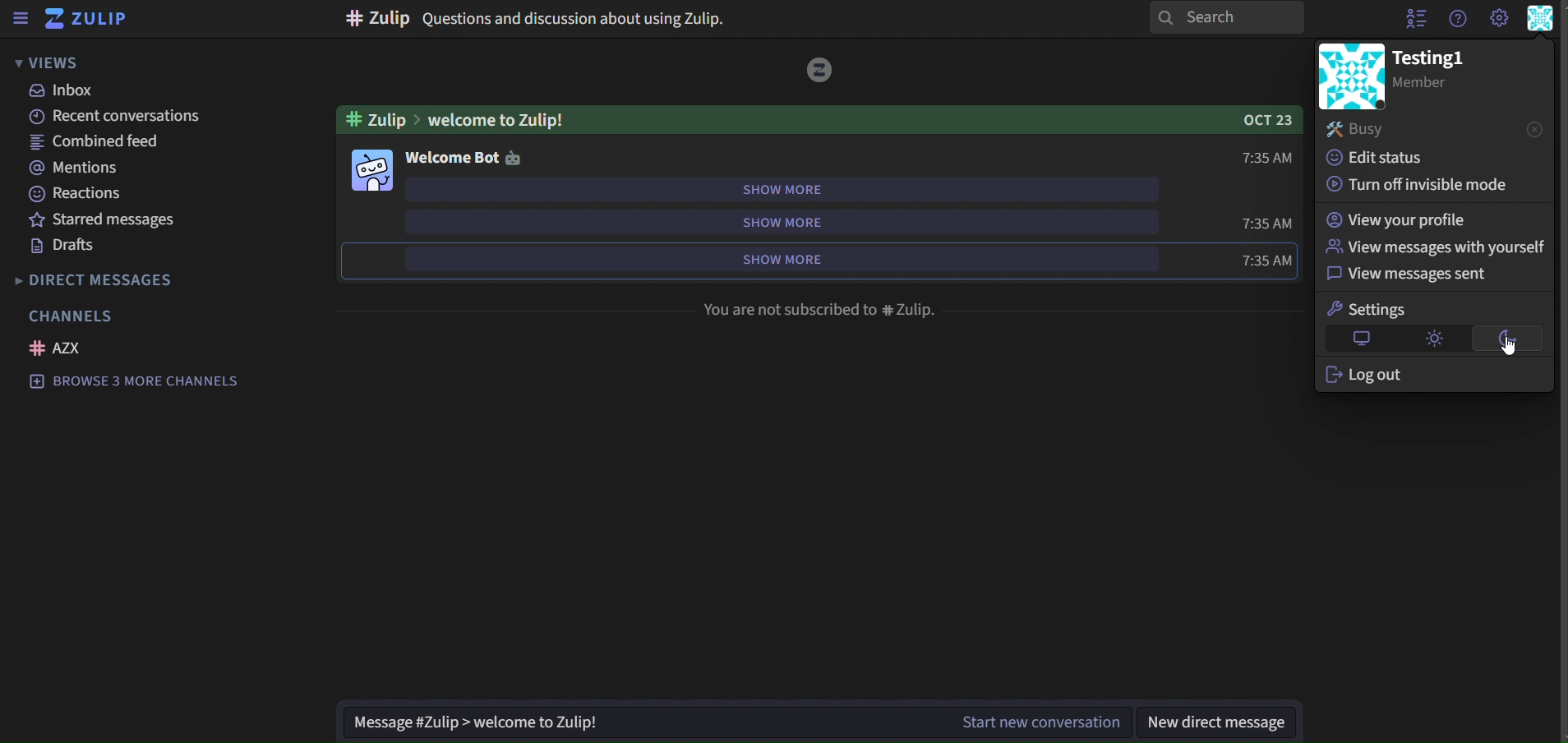 This screenshot has height=743, width=1568. What do you see at coordinates (67, 246) in the screenshot?
I see `drafts` at bounding box center [67, 246].